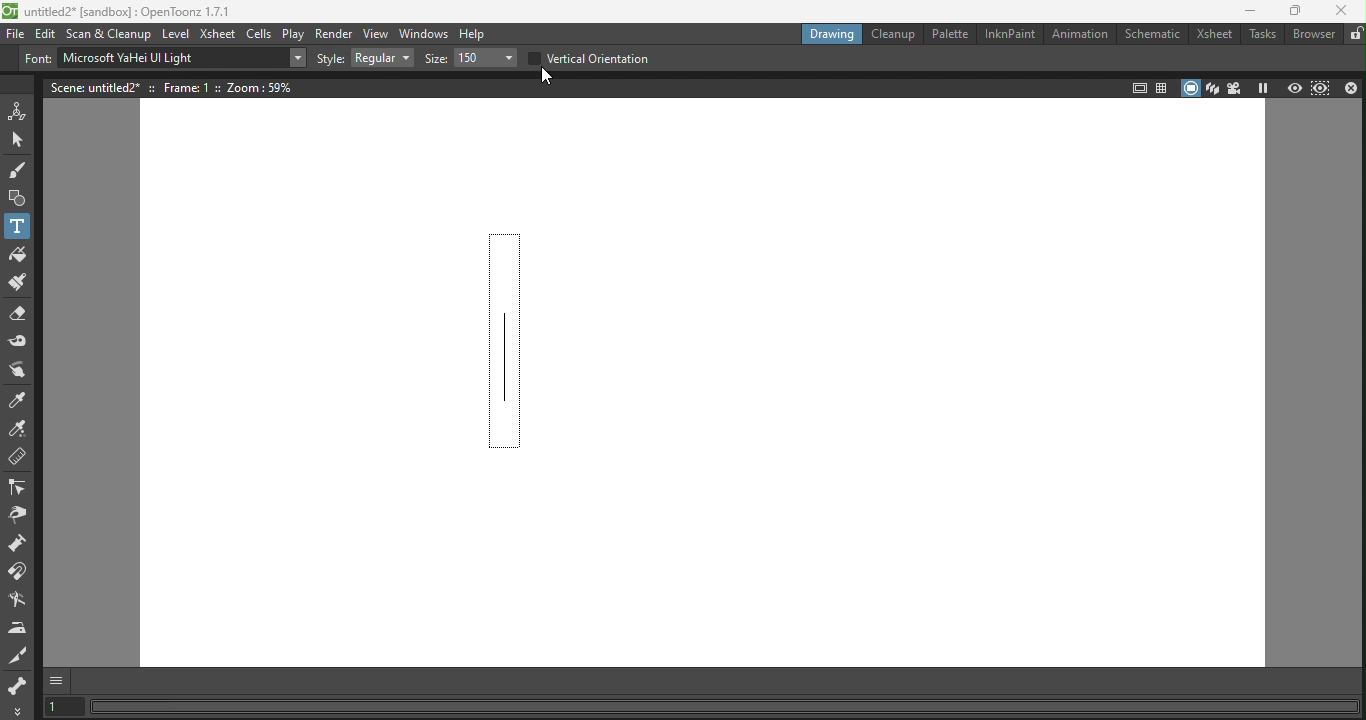  Describe the element at coordinates (422, 33) in the screenshot. I see `Windows` at that location.